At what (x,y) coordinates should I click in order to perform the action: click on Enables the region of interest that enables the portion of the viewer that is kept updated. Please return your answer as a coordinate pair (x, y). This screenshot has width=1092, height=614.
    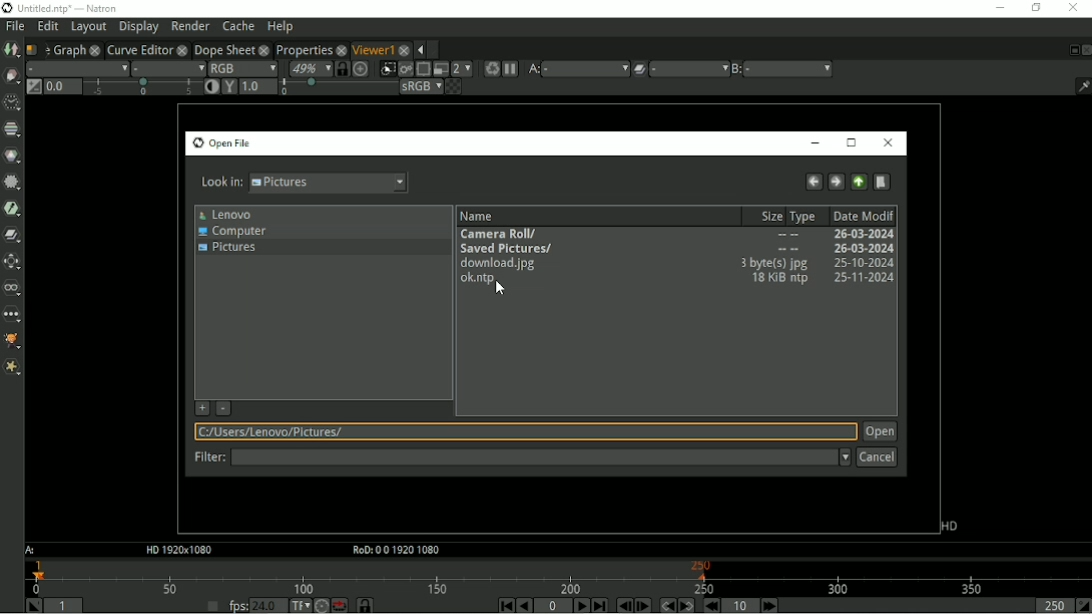
    Looking at the image, I should click on (422, 69).